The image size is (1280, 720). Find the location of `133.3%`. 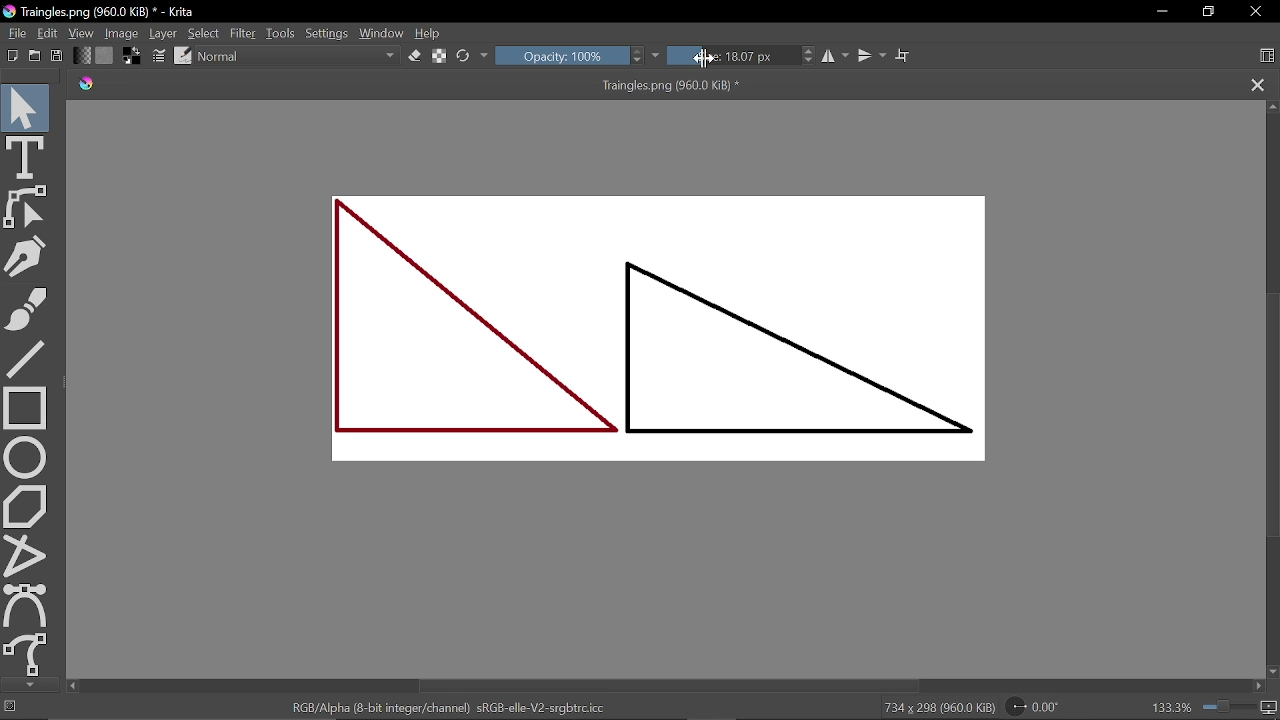

133.3% is located at coordinates (1207, 705).